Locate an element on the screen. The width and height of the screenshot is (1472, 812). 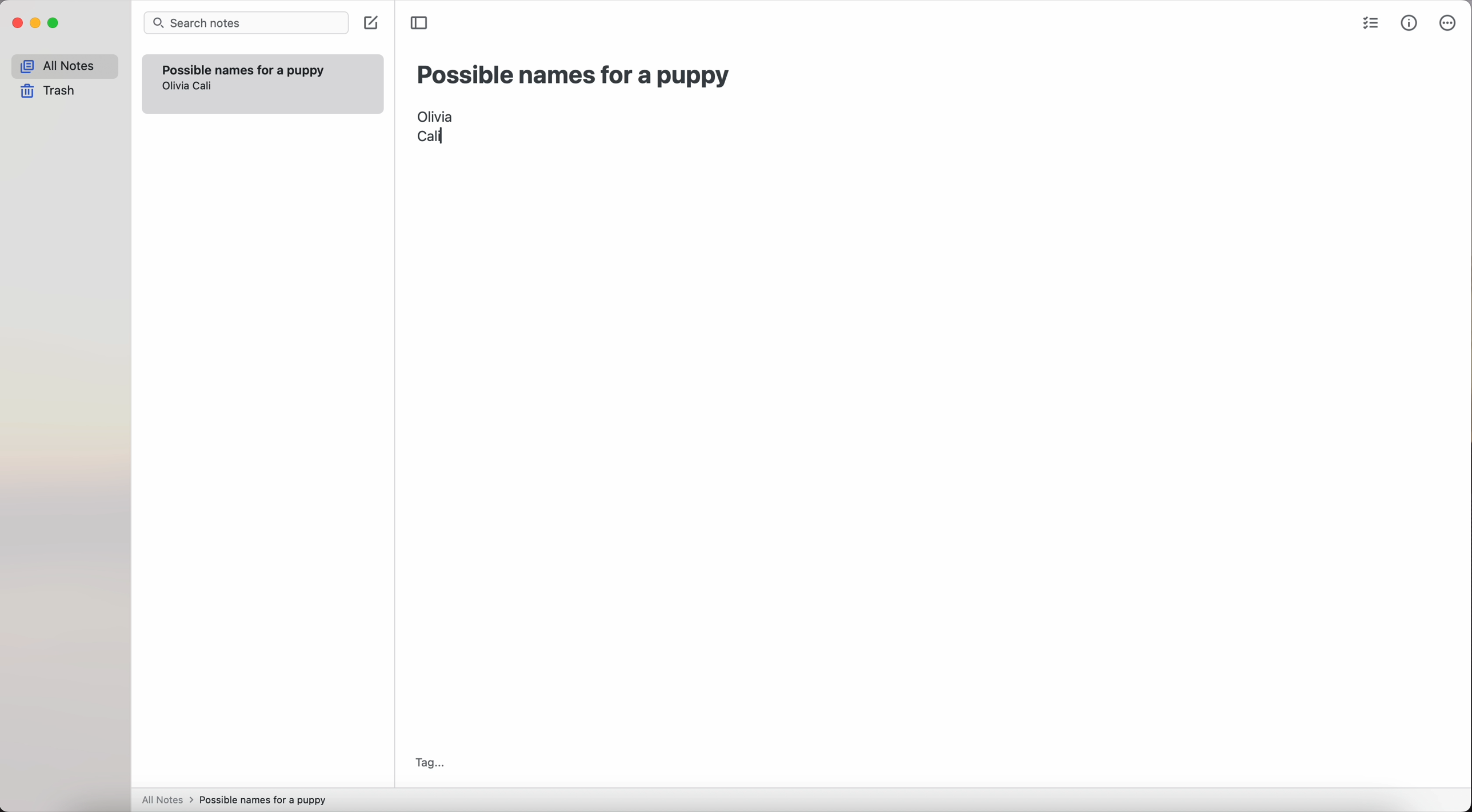
olivia is located at coordinates (177, 86).